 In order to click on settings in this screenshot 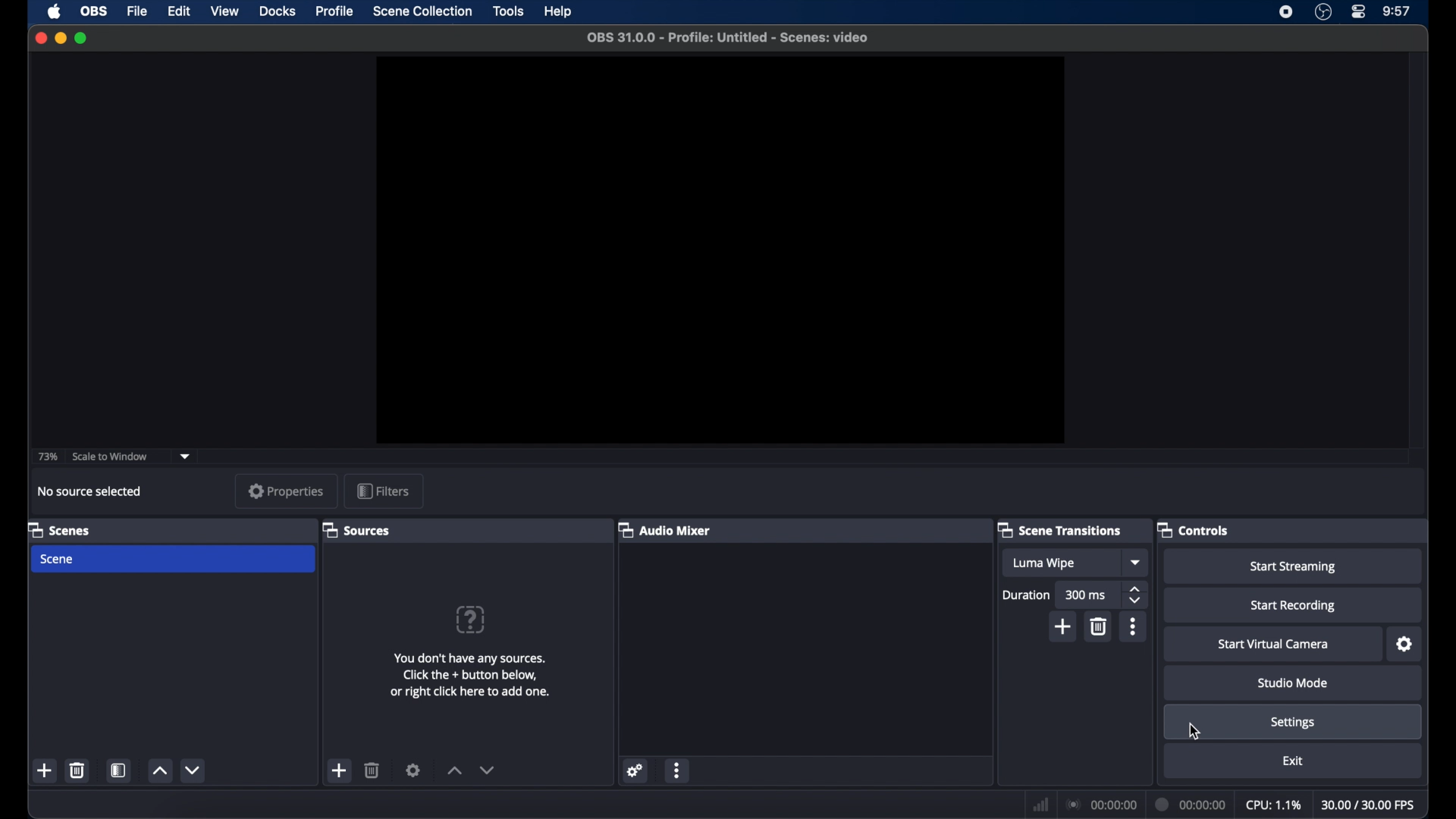, I will do `click(413, 770)`.